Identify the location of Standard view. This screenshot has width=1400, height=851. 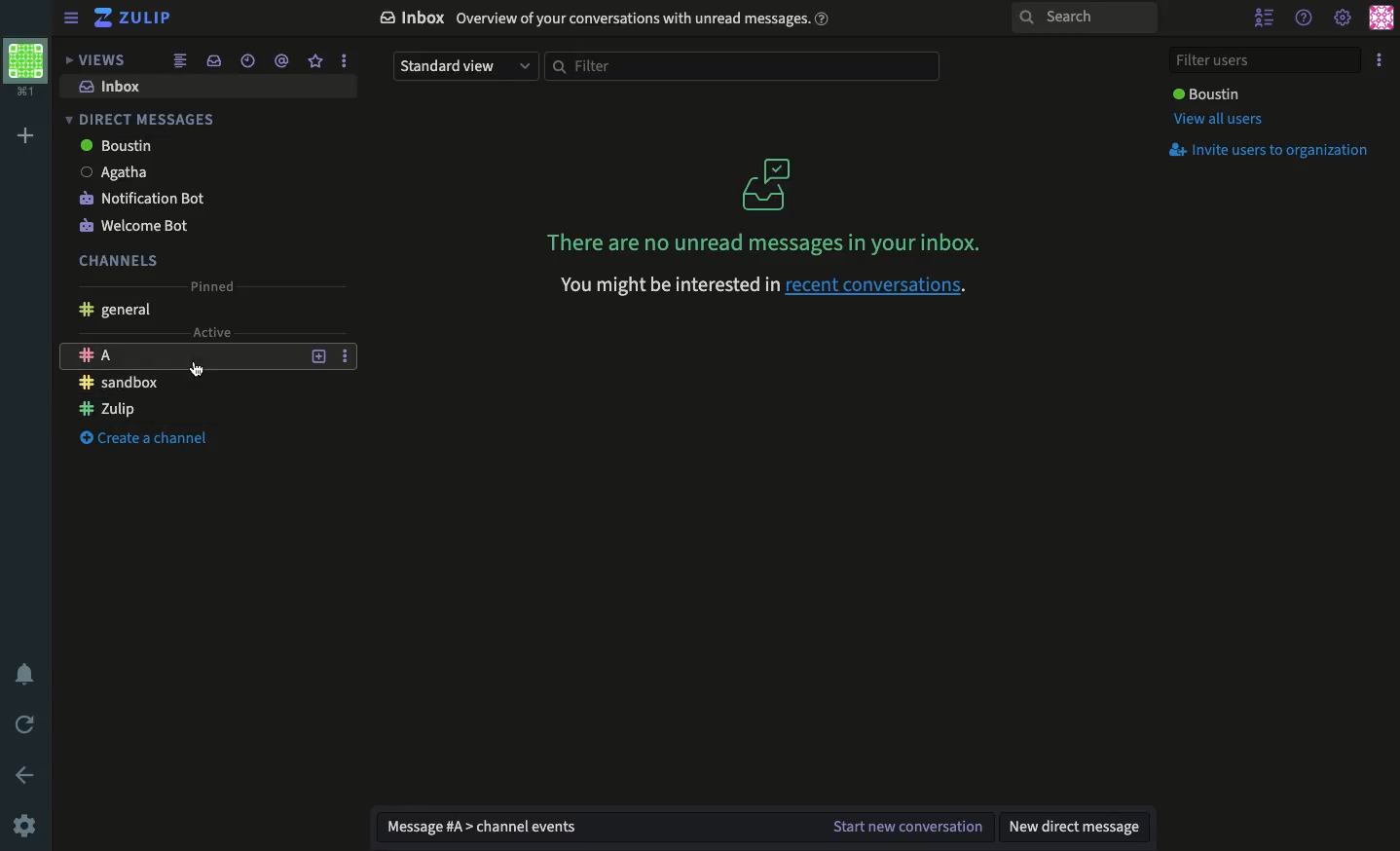
(462, 67).